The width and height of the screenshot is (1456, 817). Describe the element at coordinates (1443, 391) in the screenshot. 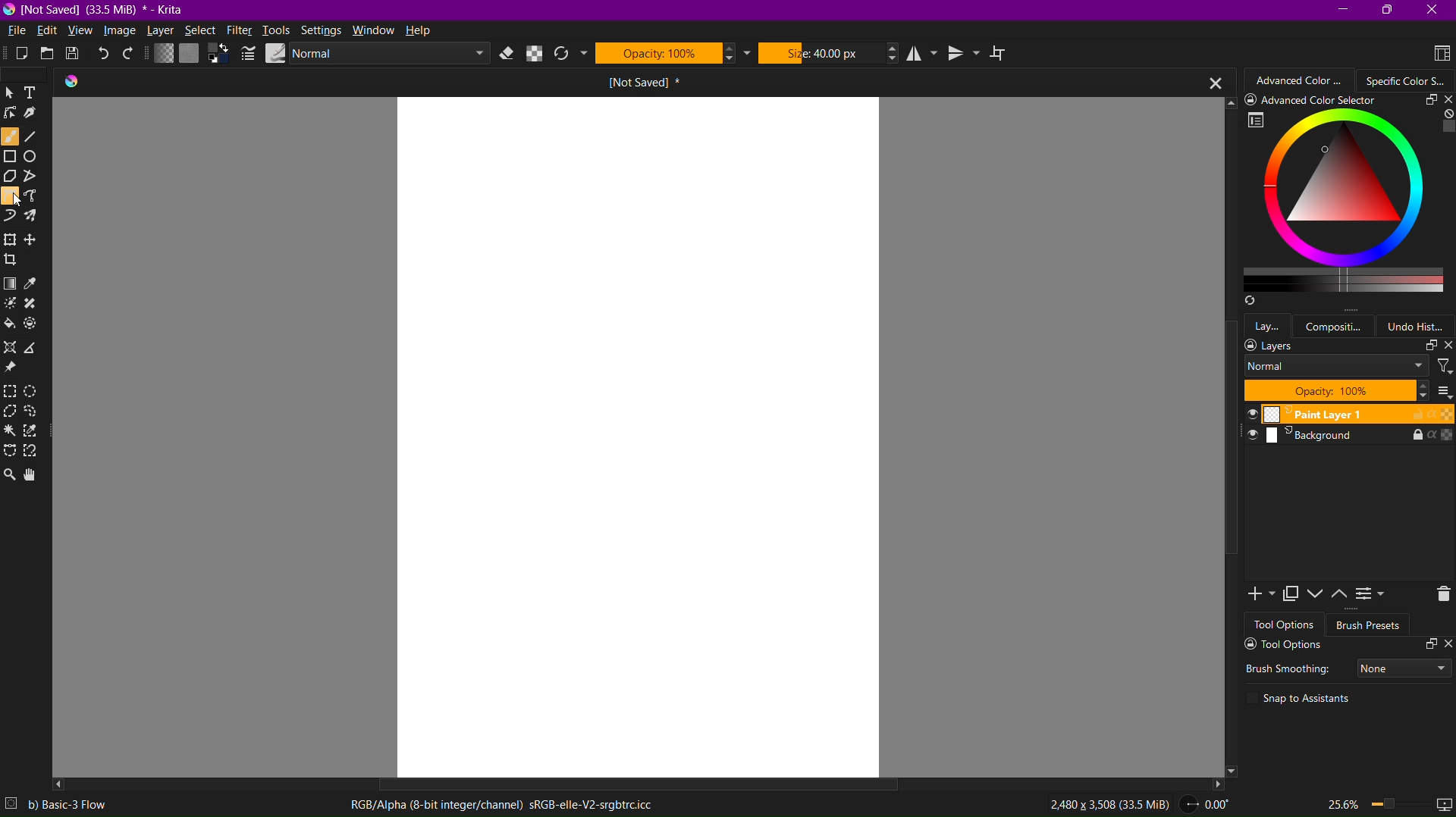

I see `Thumbnail Settings` at that location.